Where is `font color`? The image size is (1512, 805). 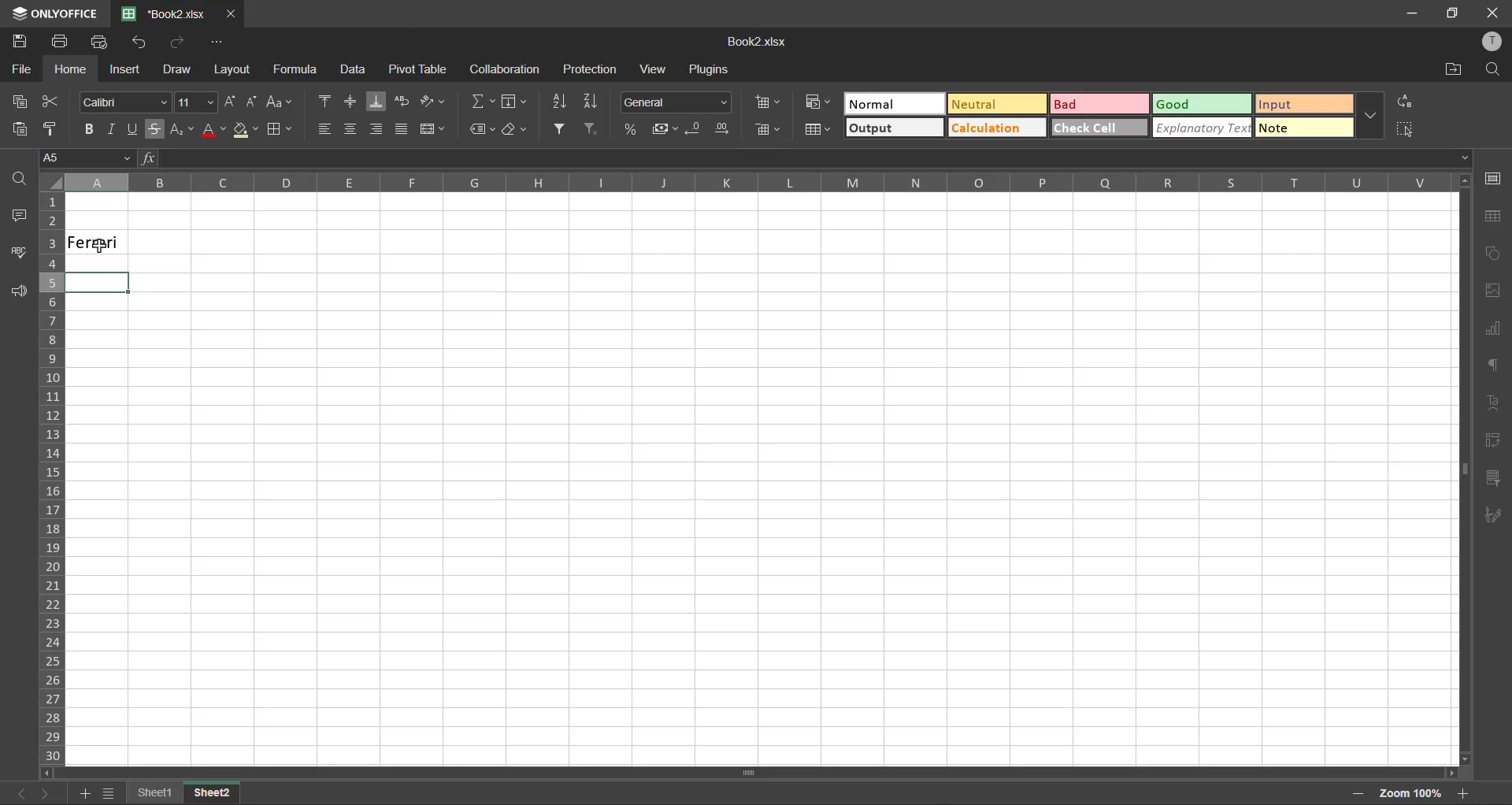
font color is located at coordinates (213, 130).